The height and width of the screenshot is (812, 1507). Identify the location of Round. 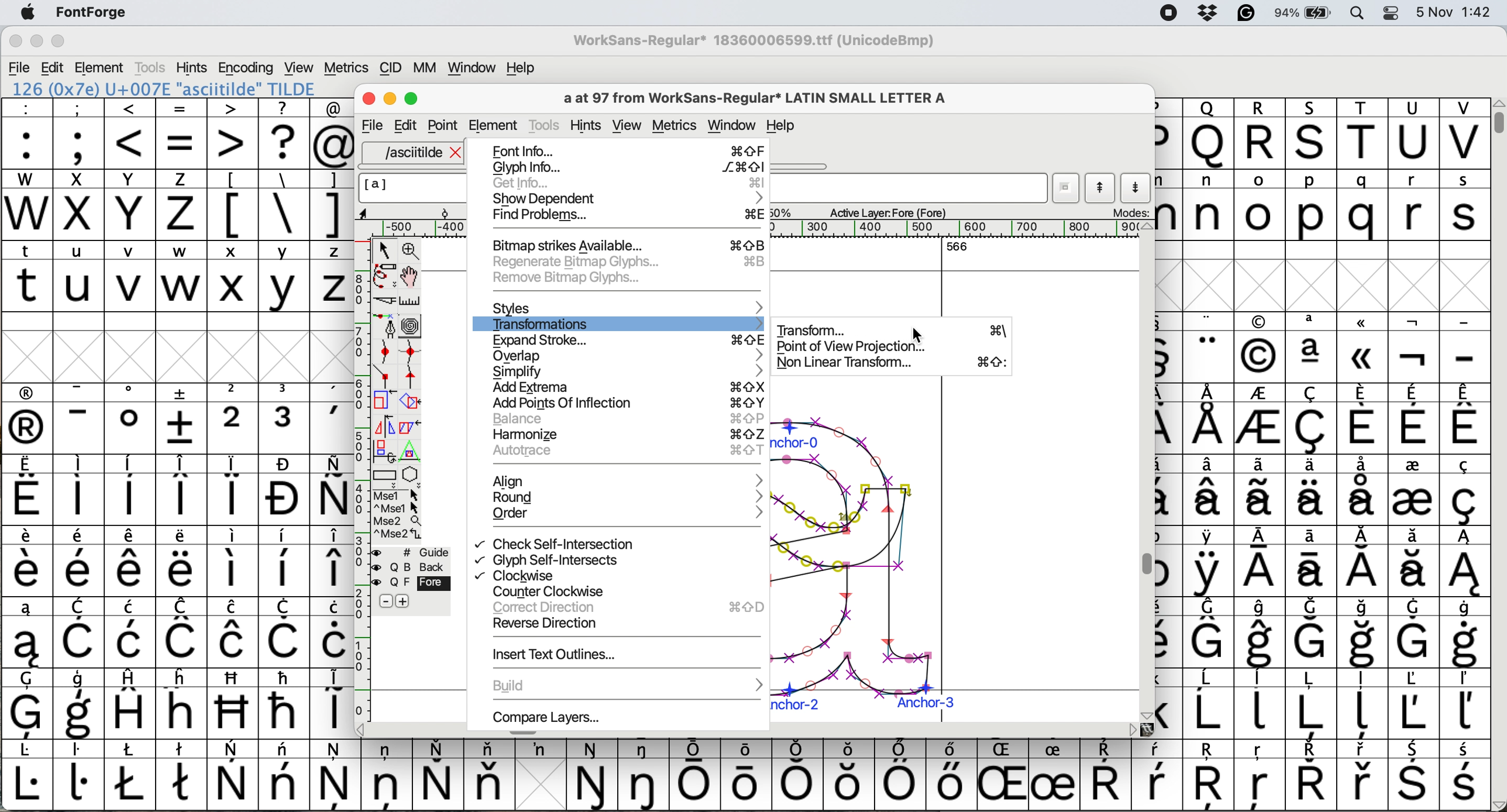
(624, 495).